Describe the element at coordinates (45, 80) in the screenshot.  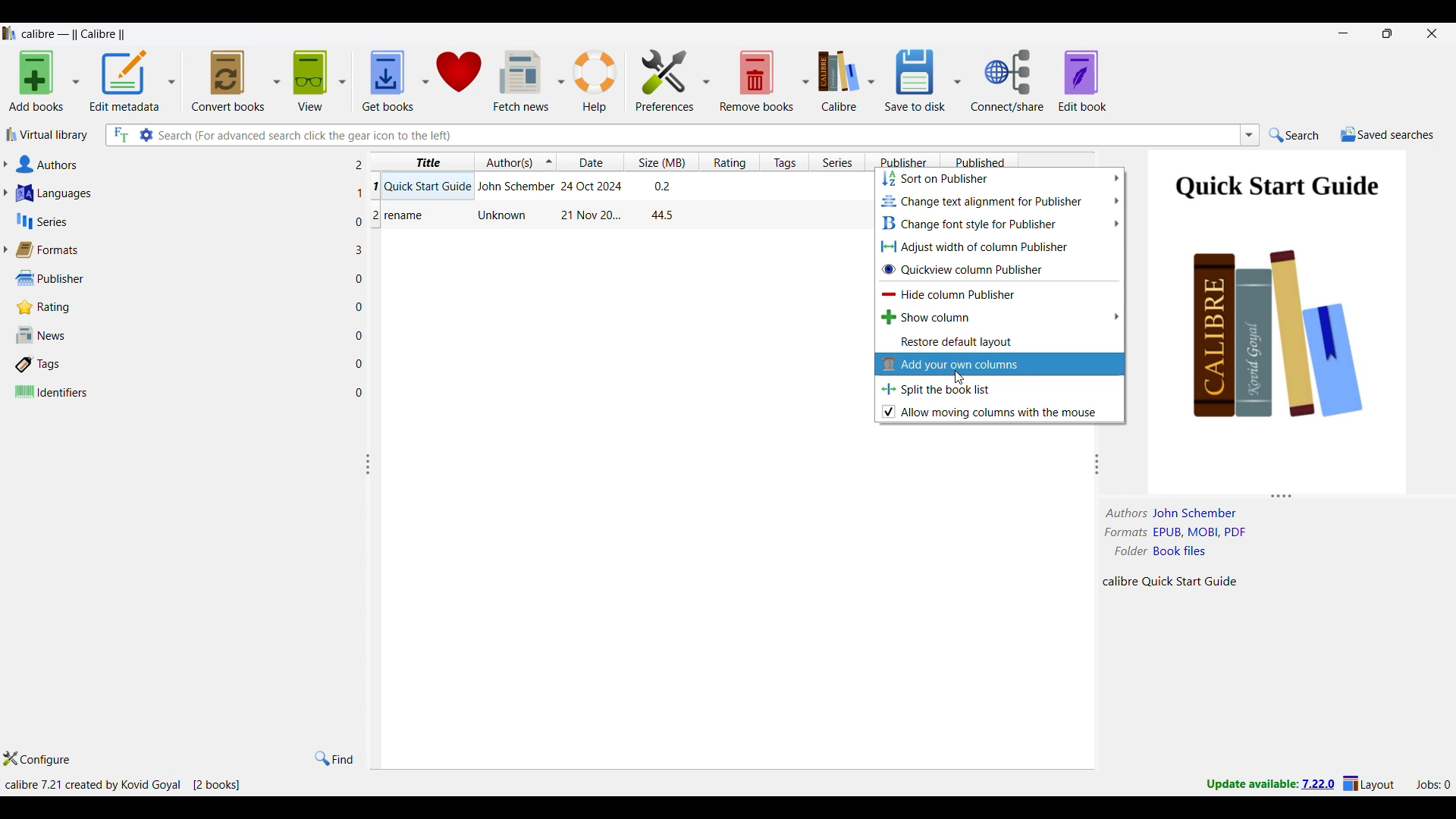
I see `Add book options` at that location.